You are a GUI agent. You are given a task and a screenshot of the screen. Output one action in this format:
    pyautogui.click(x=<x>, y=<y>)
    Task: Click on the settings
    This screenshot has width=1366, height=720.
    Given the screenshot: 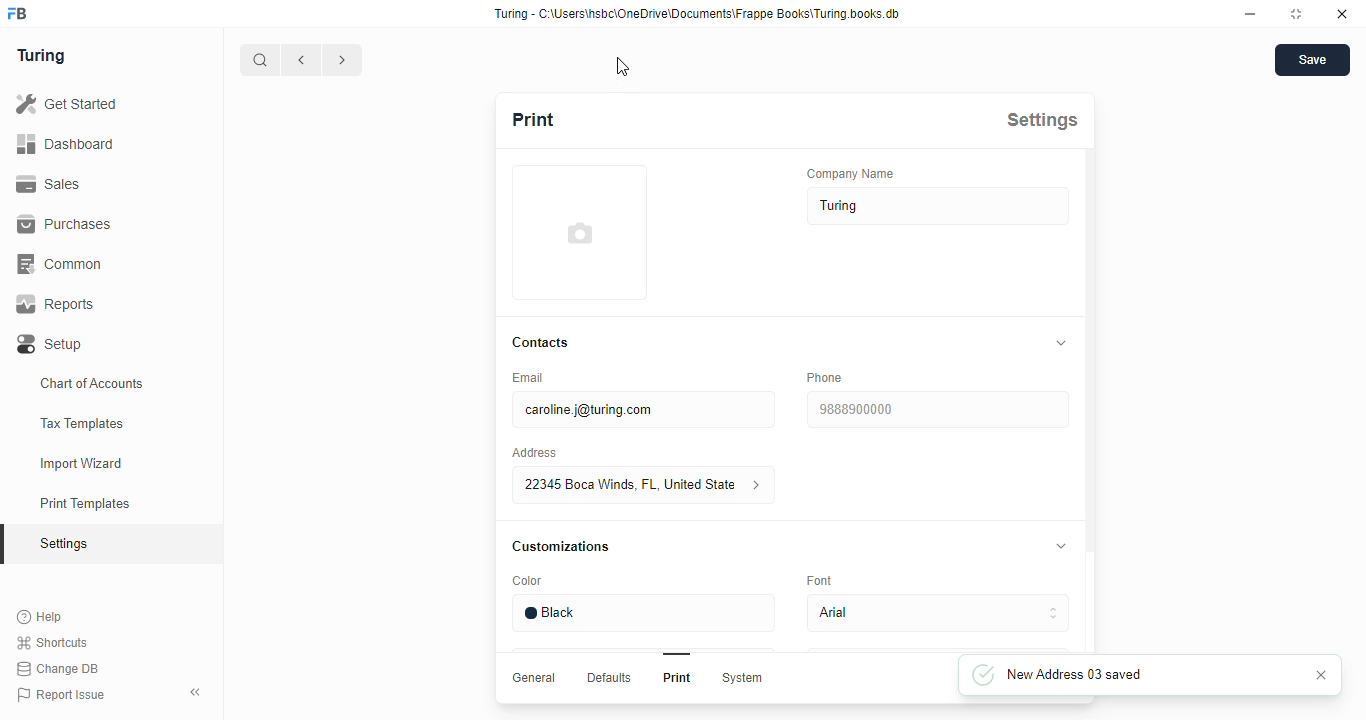 What is the action you would take?
    pyautogui.click(x=1042, y=120)
    